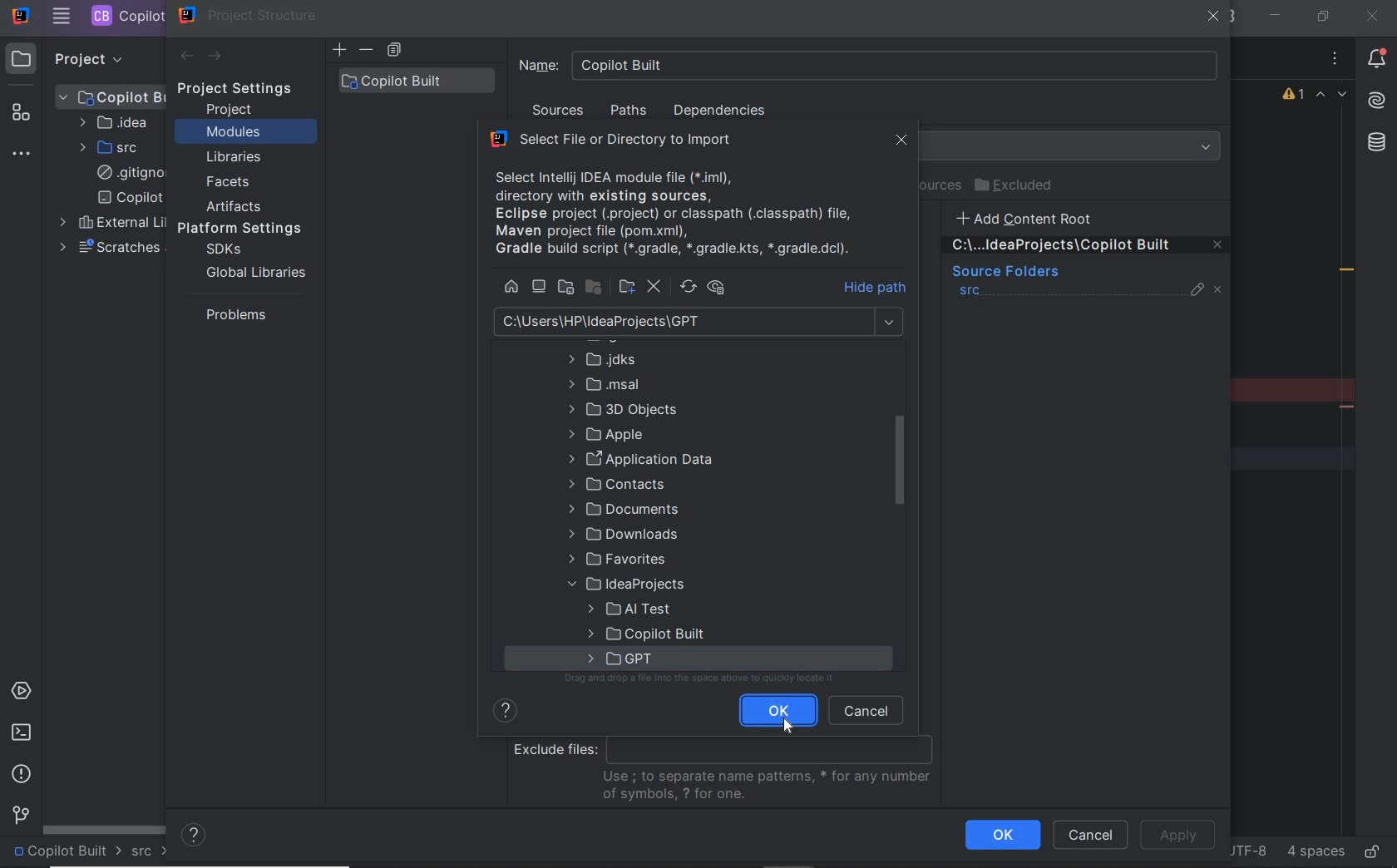 Image resolution: width=1397 pixels, height=868 pixels. Describe the element at coordinates (19, 17) in the screenshot. I see `SYSTEM NAME` at that location.